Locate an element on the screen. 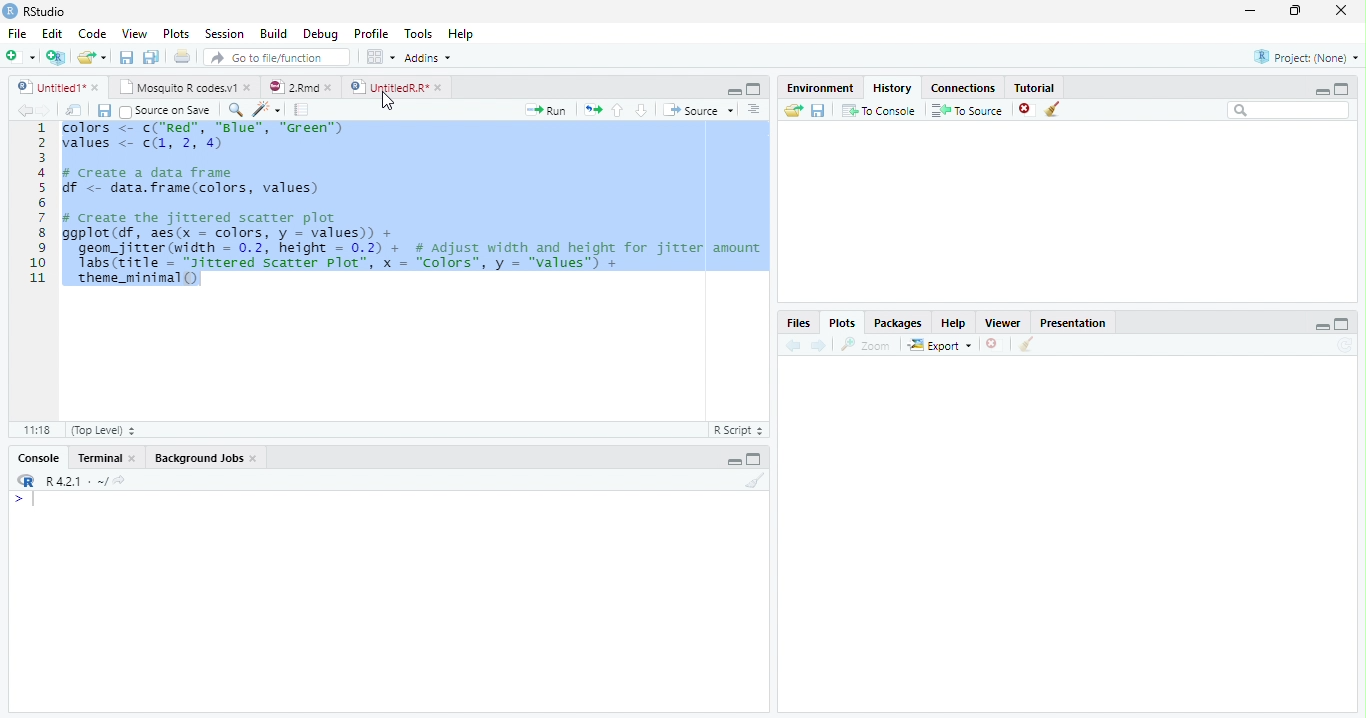 This screenshot has height=718, width=1366. Plots is located at coordinates (177, 33).